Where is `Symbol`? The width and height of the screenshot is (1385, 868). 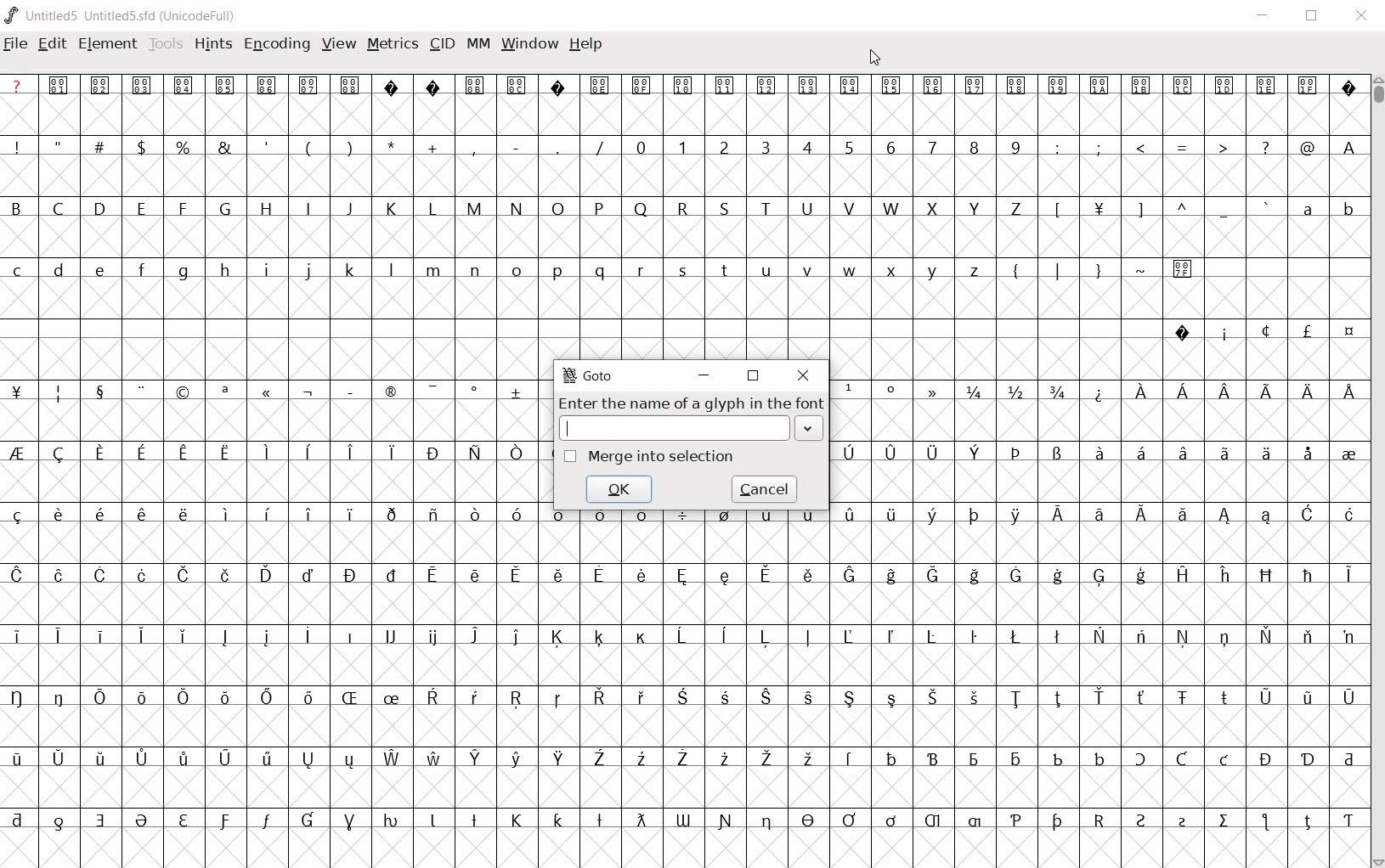 Symbol is located at coordinates (725, 820).